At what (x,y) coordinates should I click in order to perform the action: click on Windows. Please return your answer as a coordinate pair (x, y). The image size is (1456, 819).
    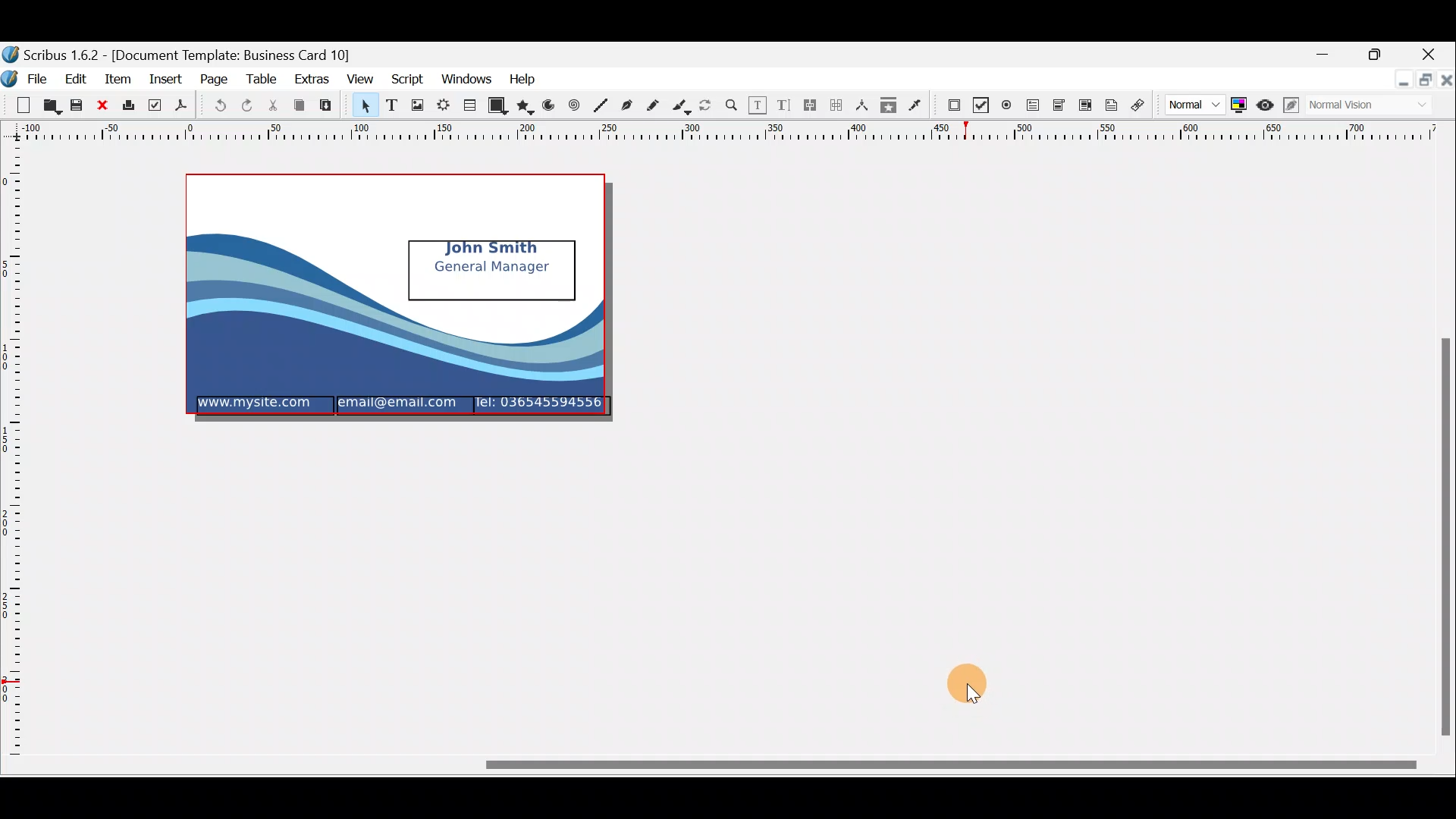
    Looking at the image, I should click on (469, 81).